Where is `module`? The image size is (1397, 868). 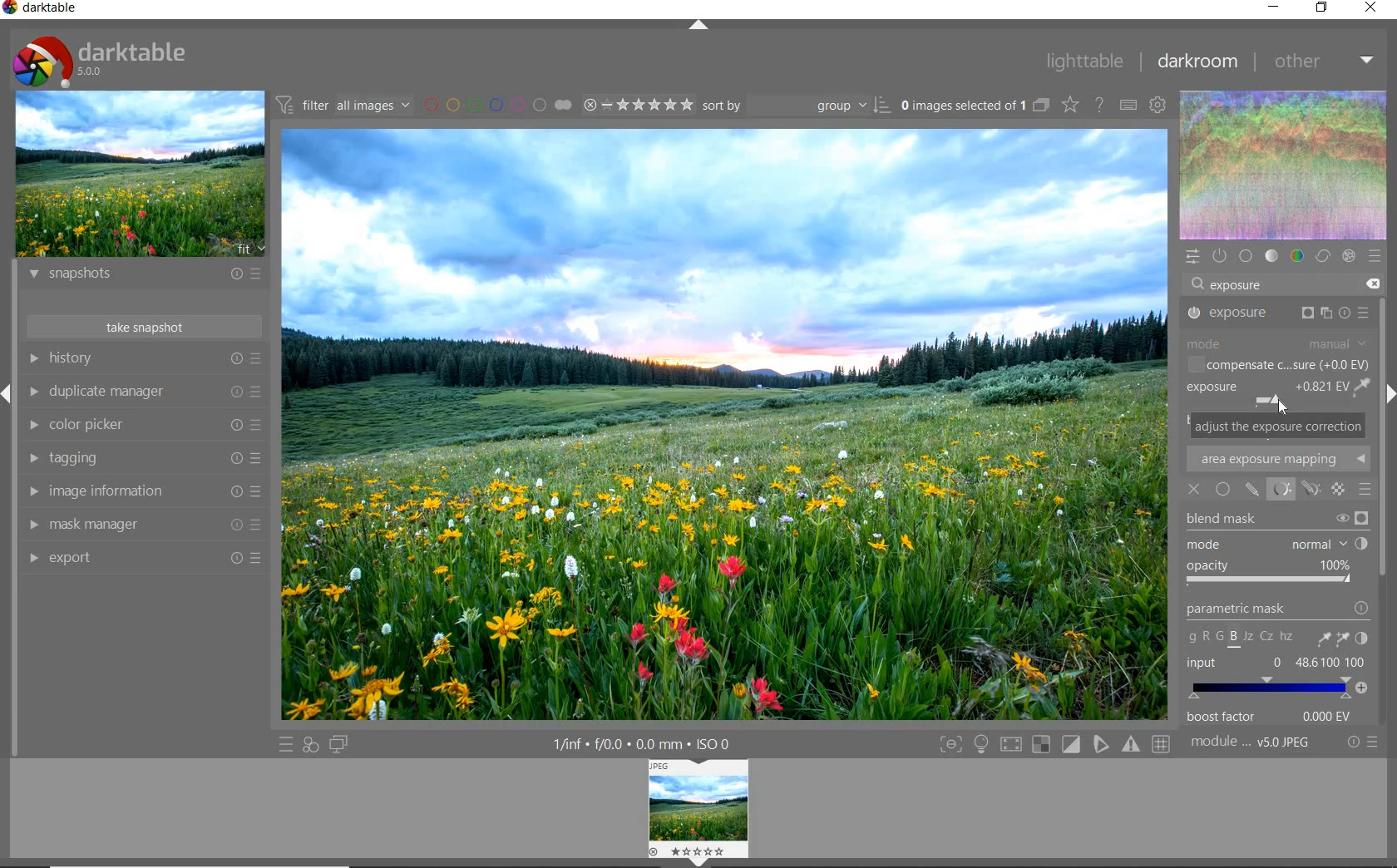
module is located at coordinates (1251, 742).